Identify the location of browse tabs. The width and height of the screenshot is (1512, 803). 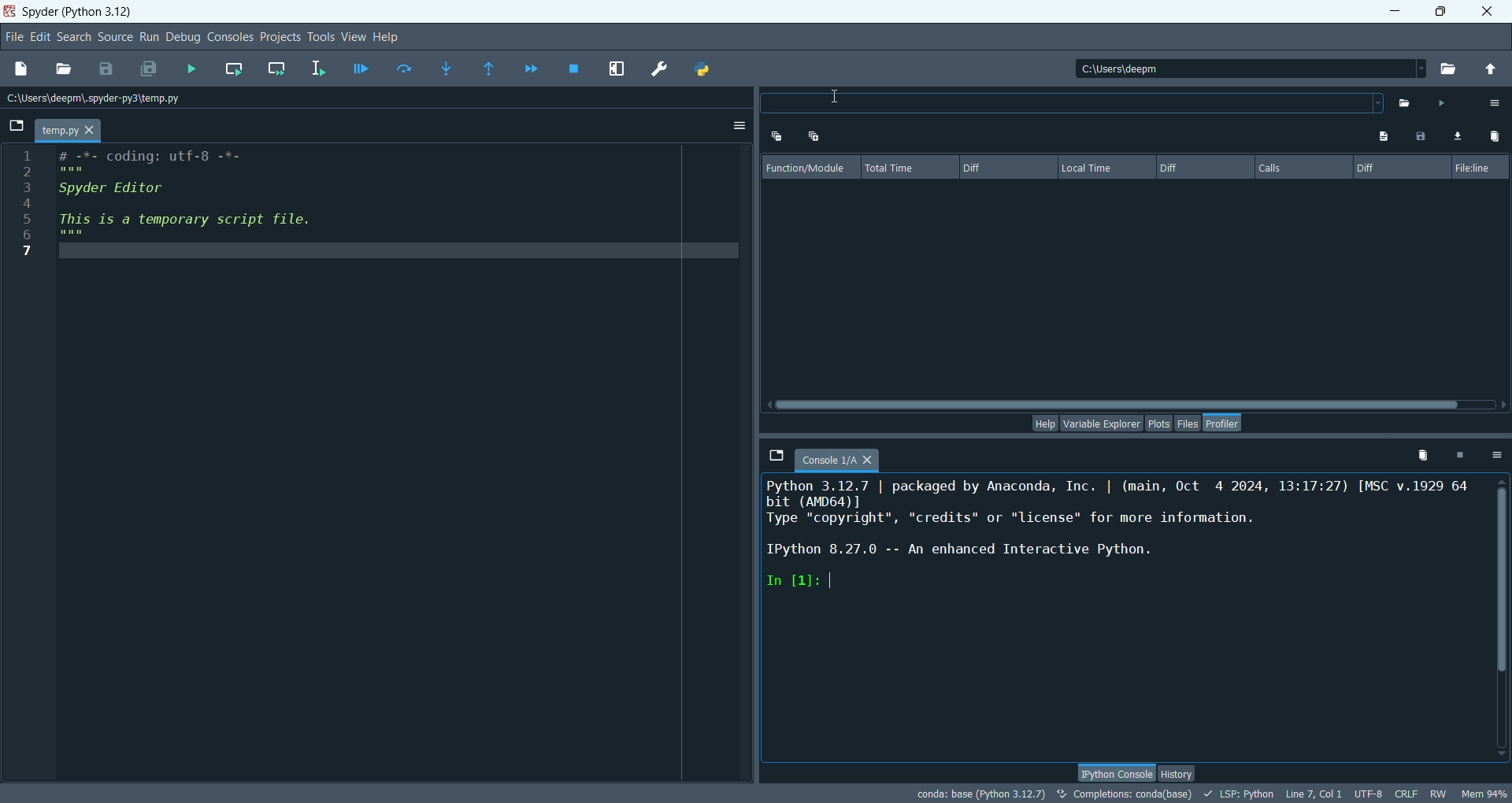
(776, 455).